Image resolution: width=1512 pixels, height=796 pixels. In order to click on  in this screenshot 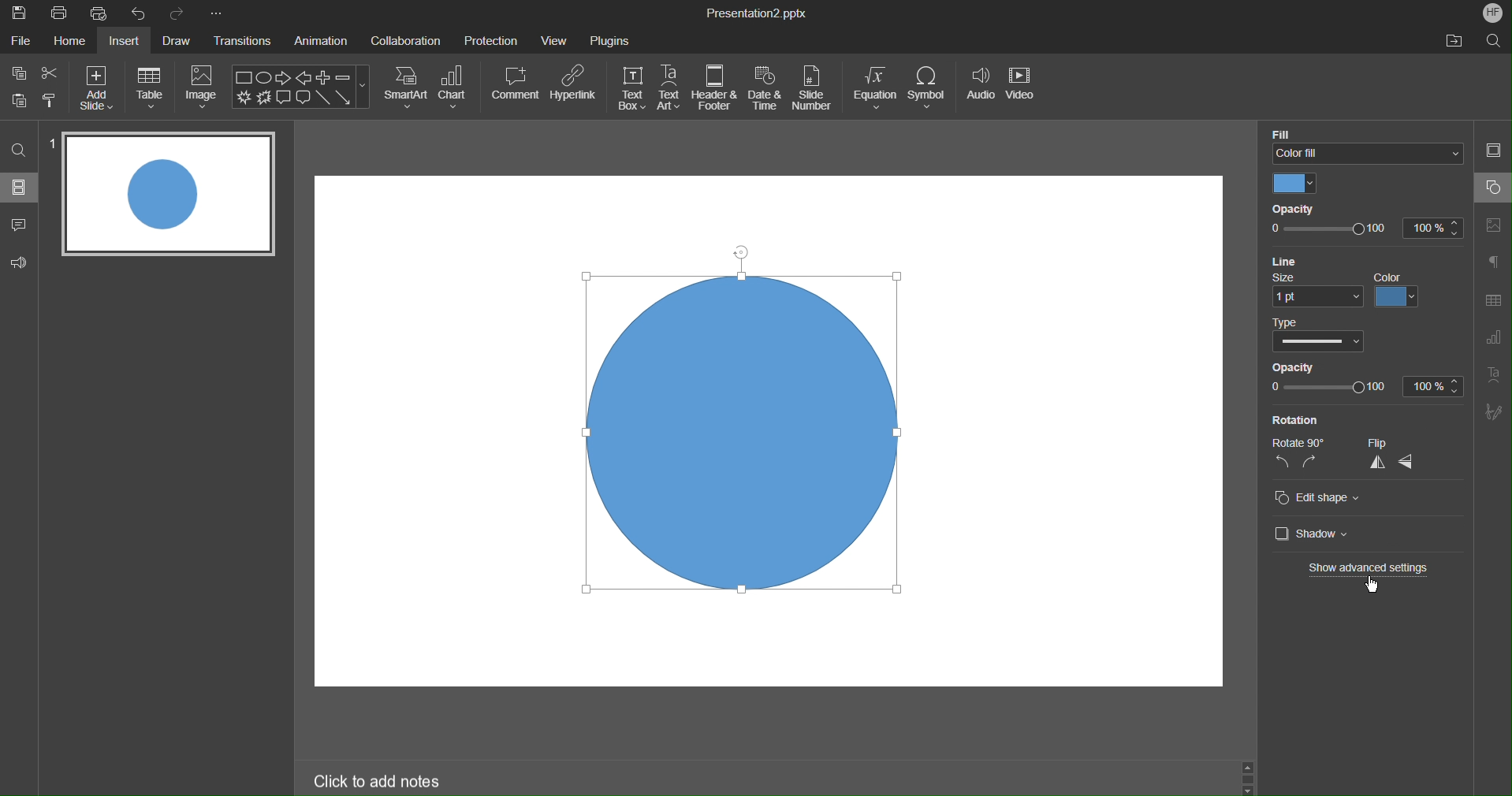, I will do `click(20, 99)`.